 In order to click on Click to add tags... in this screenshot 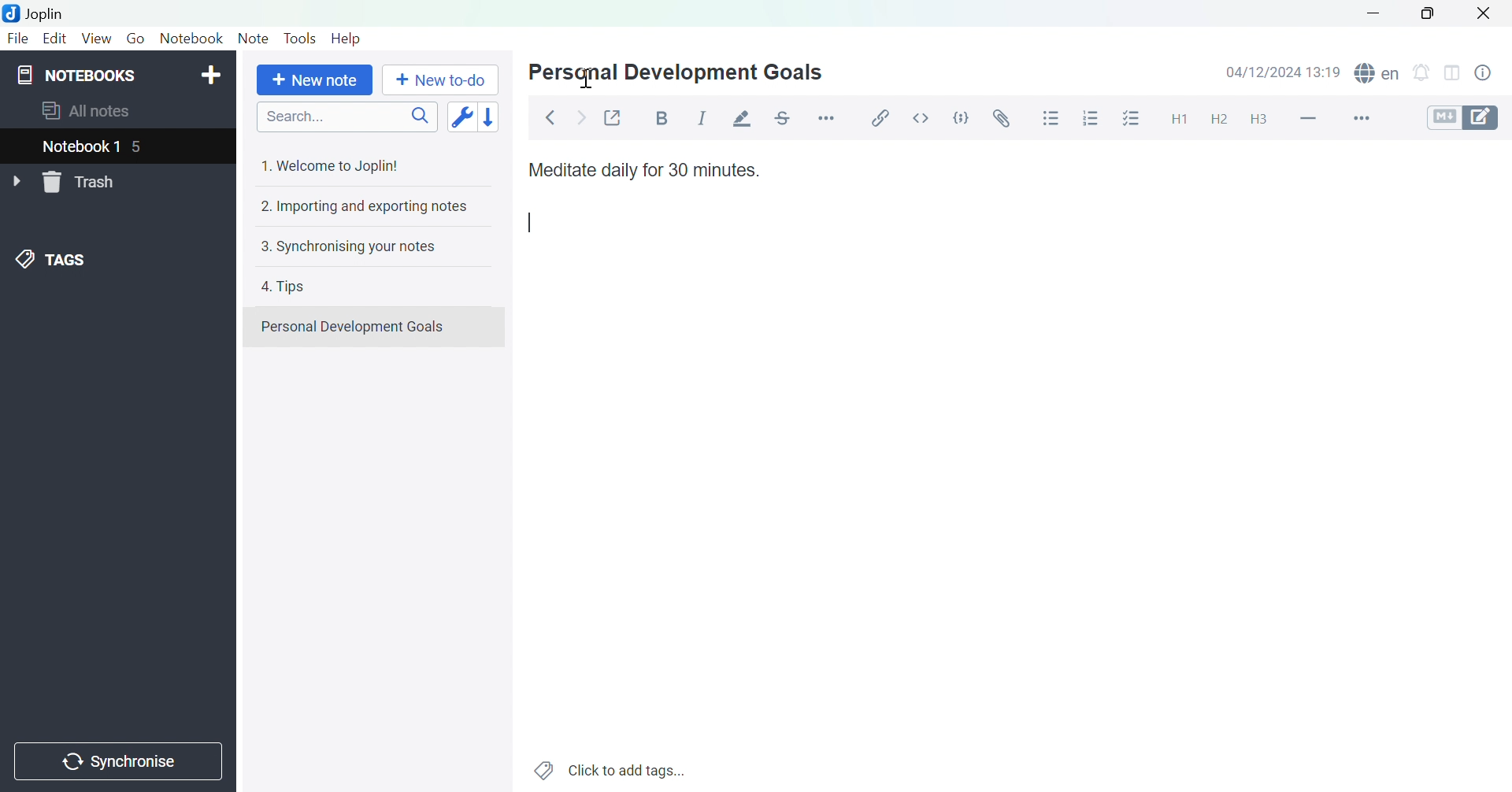, I will do `click(610, 769)`.